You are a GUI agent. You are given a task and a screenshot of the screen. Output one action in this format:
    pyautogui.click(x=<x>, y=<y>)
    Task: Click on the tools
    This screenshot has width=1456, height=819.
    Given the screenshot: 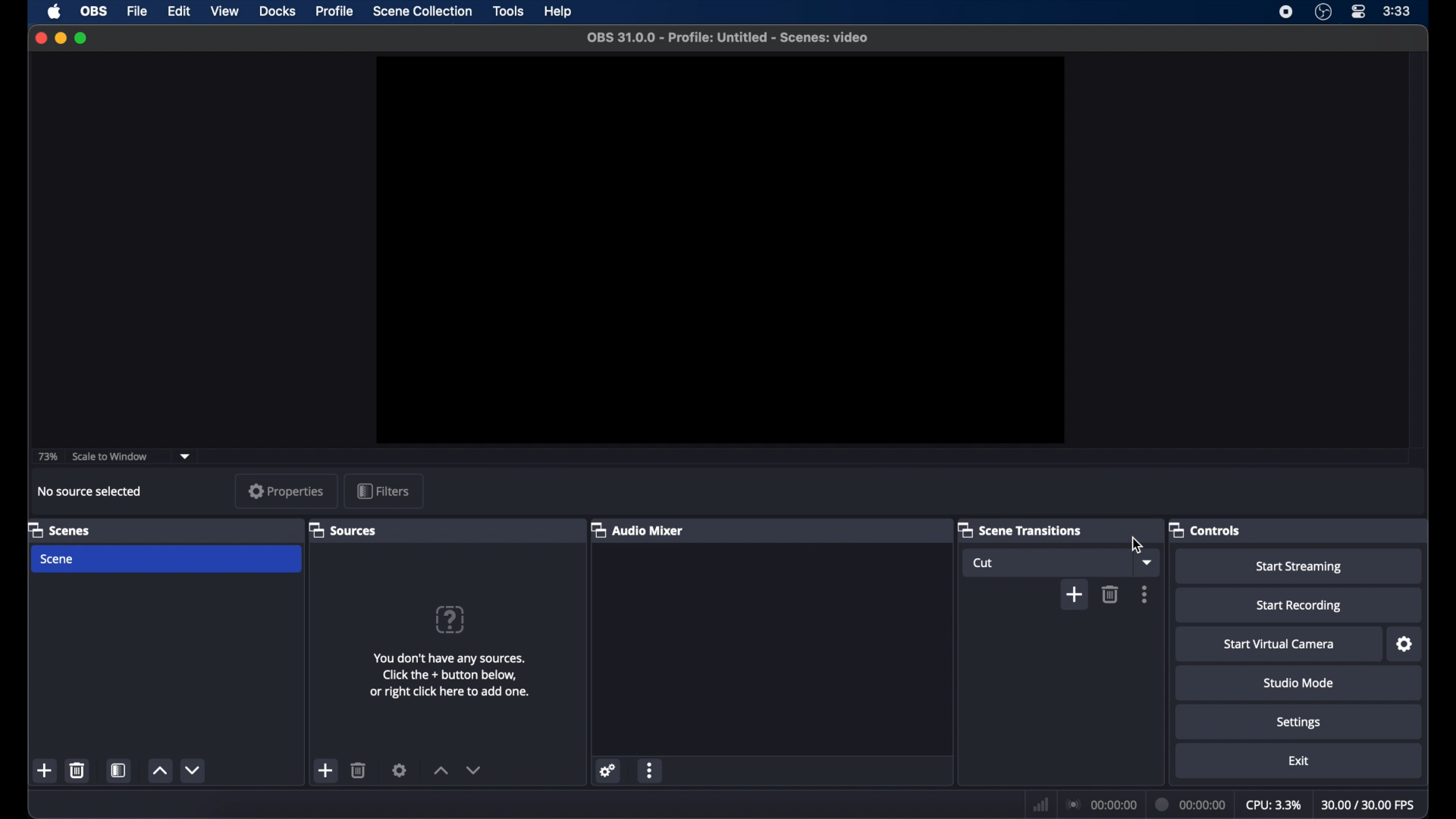 What is the action you would take?
    pyautogui.click(x=509, y=11)
    